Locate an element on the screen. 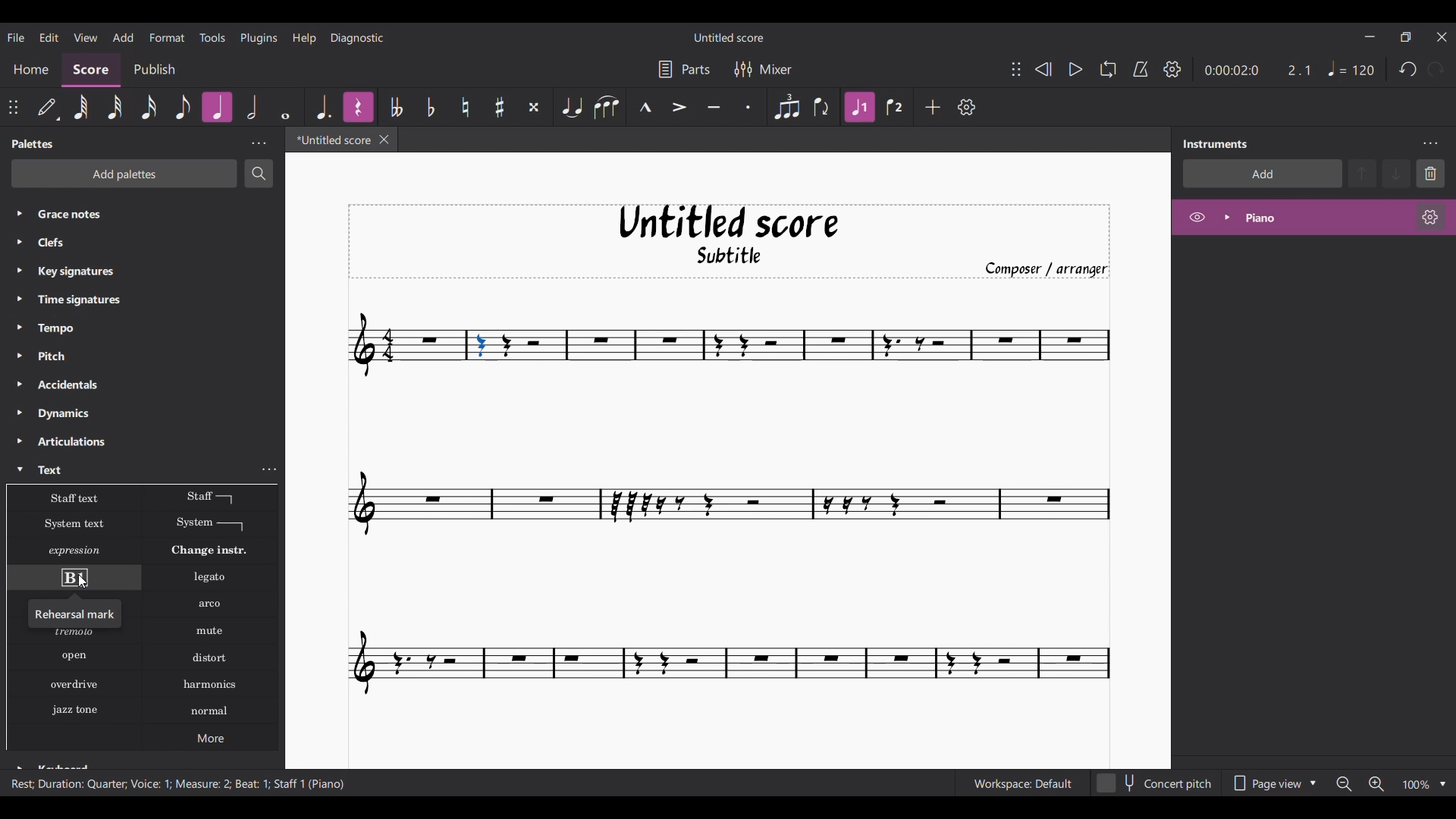 The height and width of the screenshot is (819, 1456). Zoom options is located at coordinates (1443, 785).